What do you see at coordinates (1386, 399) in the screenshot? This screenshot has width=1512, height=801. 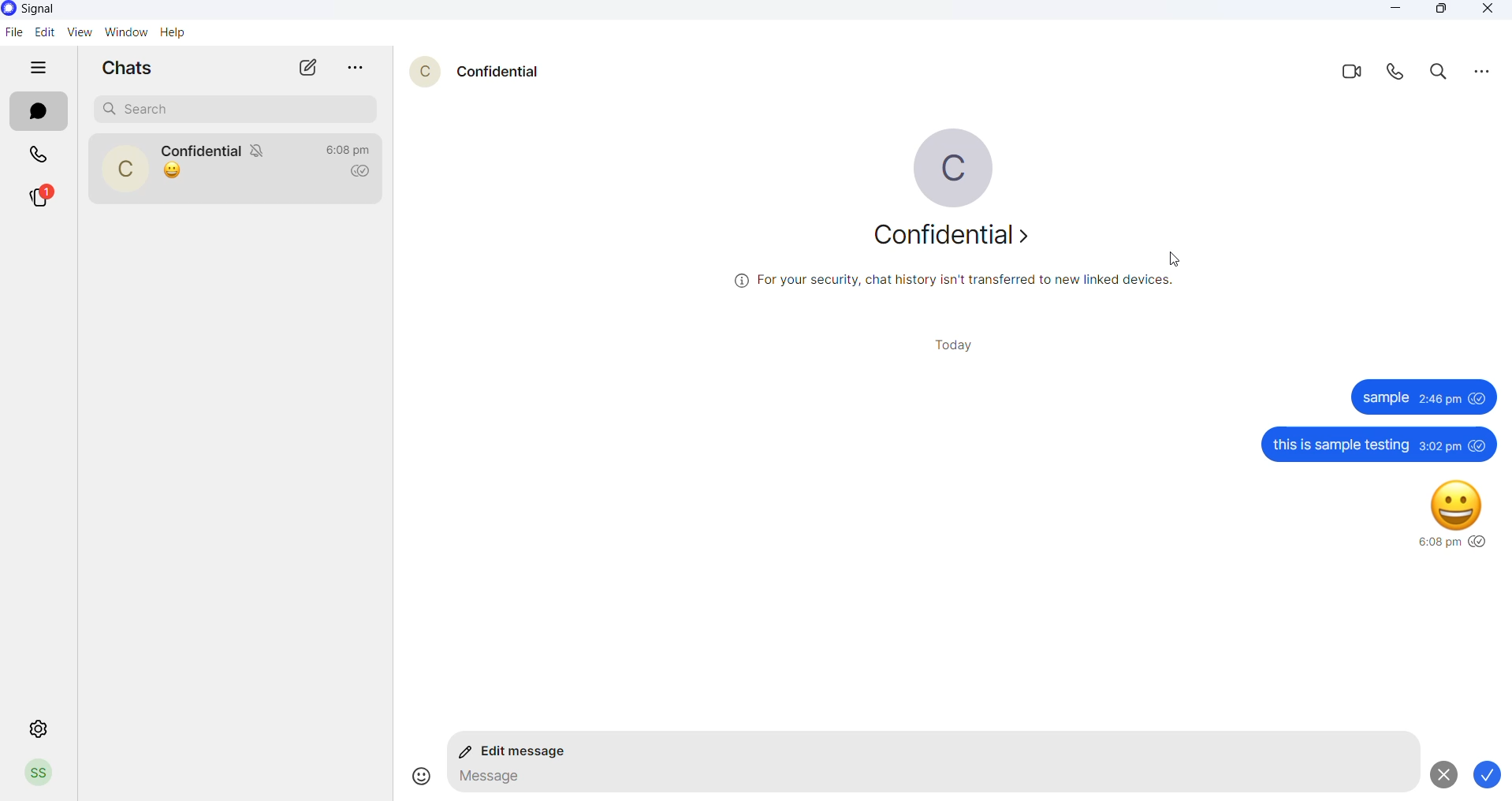 I see `sample` at bounding box center [1386, 399].